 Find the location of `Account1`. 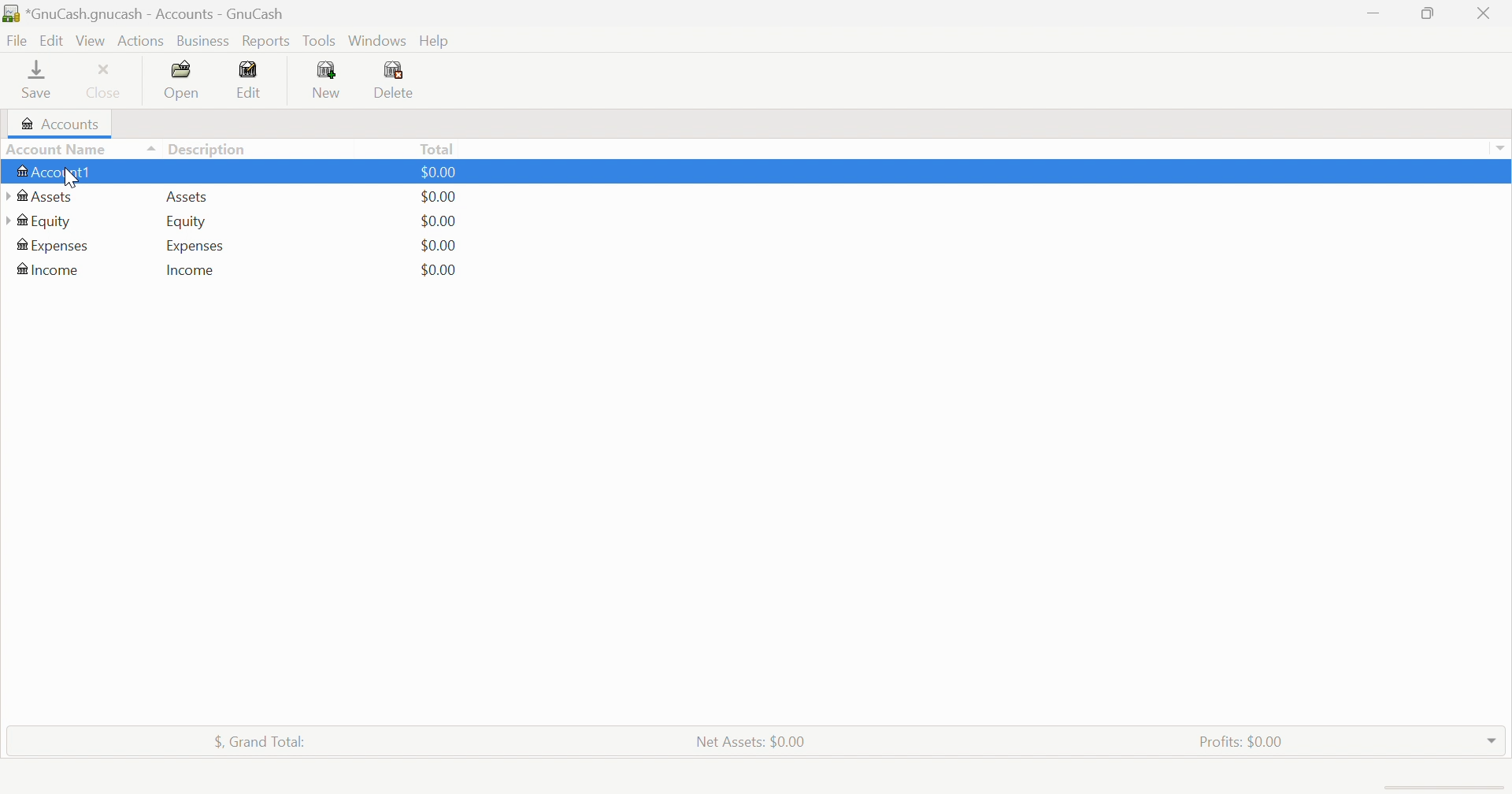

Account1 is located at coordinates (56, 173).